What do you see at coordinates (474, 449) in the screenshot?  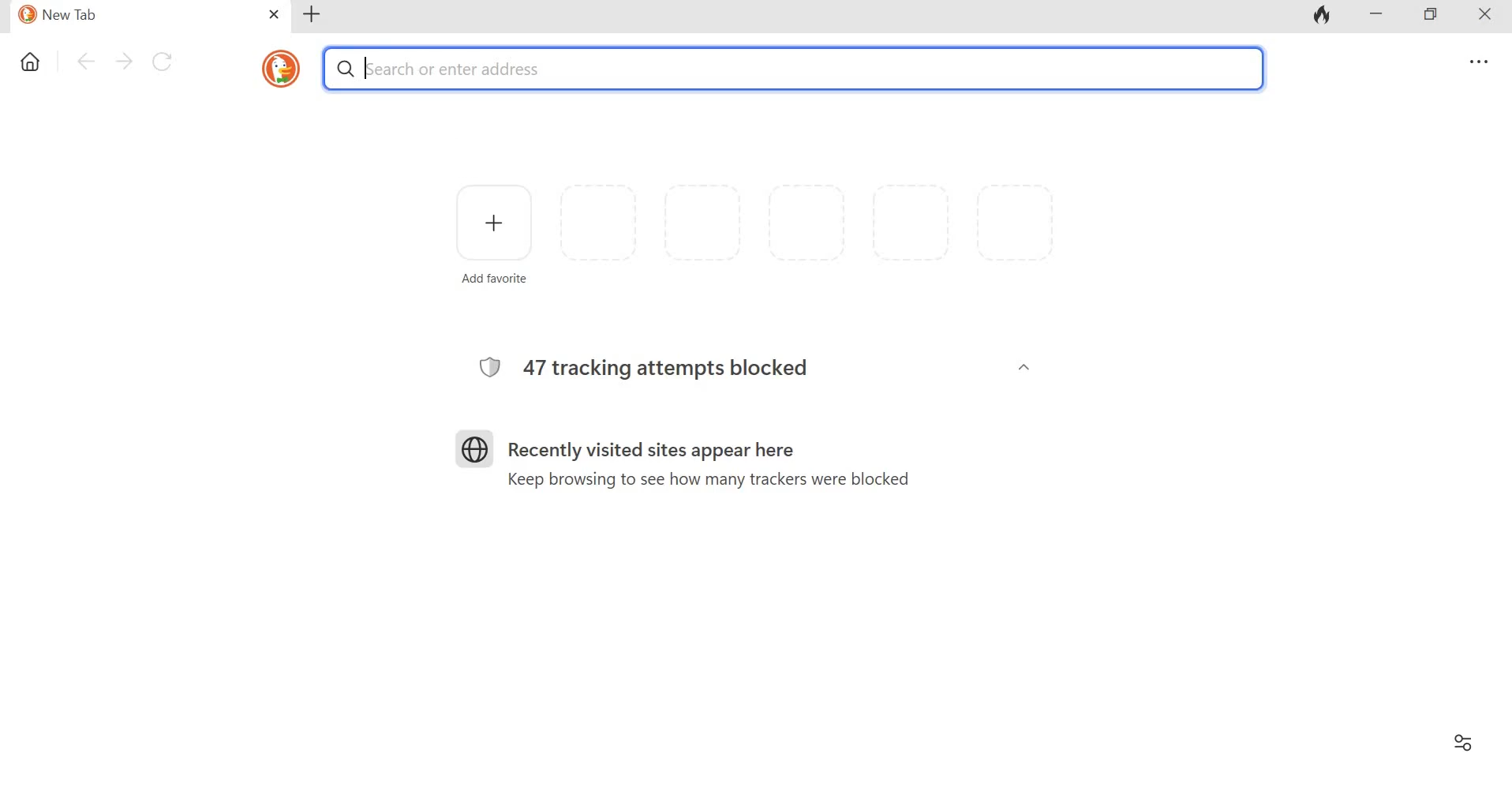 I see `Logo for sites visited` at bounding box center [474, 449].